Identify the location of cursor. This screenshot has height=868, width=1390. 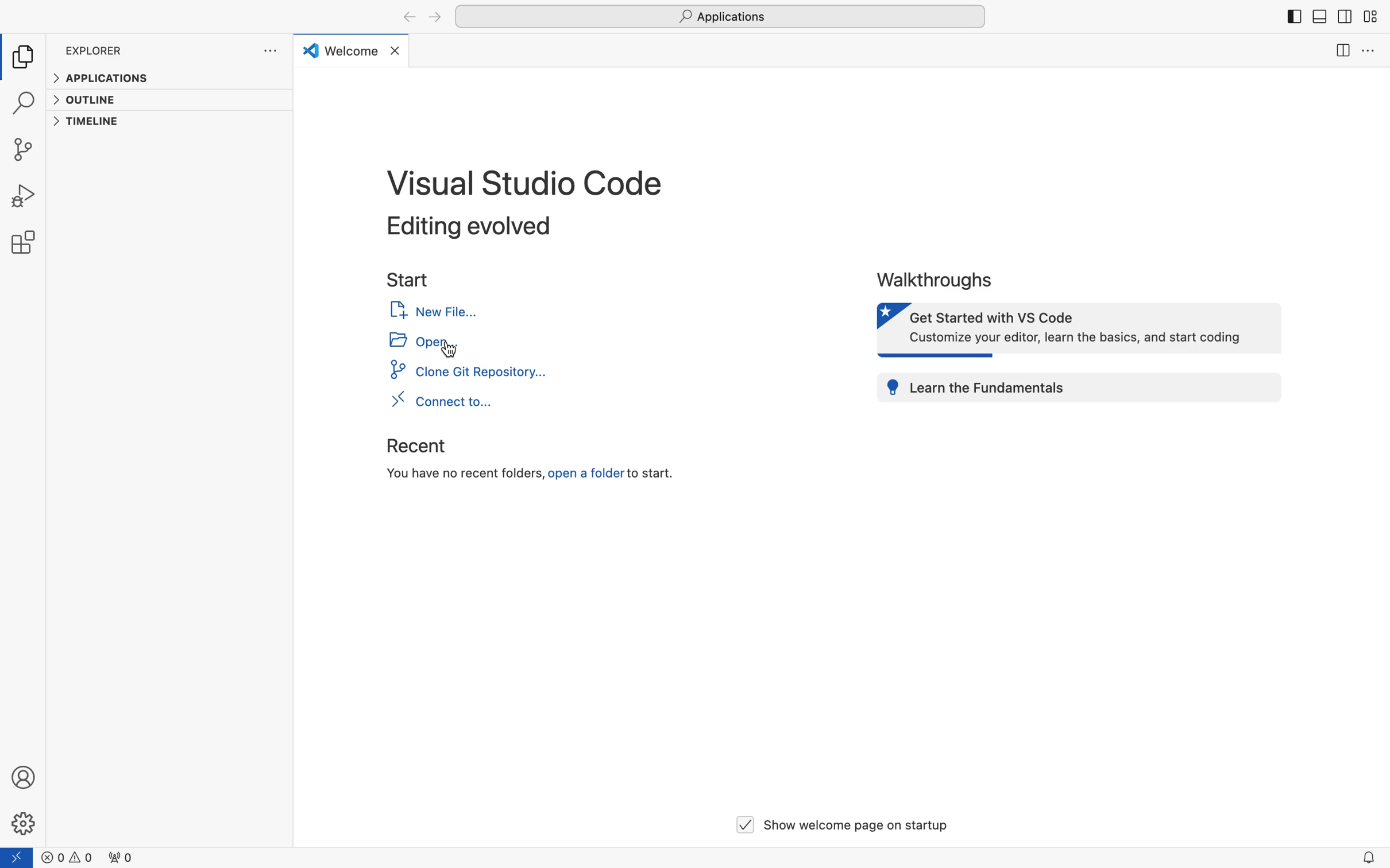
(449, 350).